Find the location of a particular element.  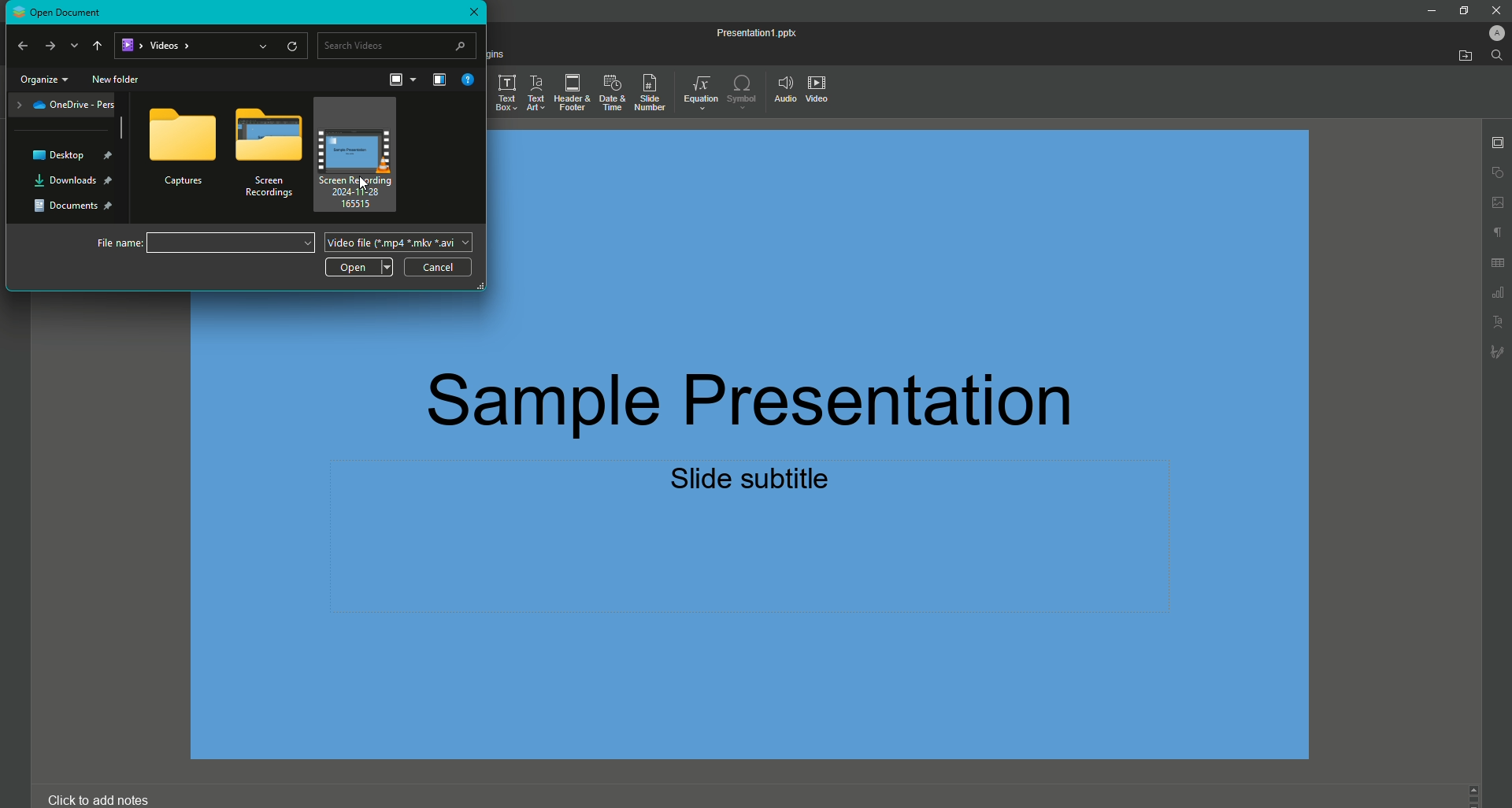

Help is located at coordinates (468, 80).